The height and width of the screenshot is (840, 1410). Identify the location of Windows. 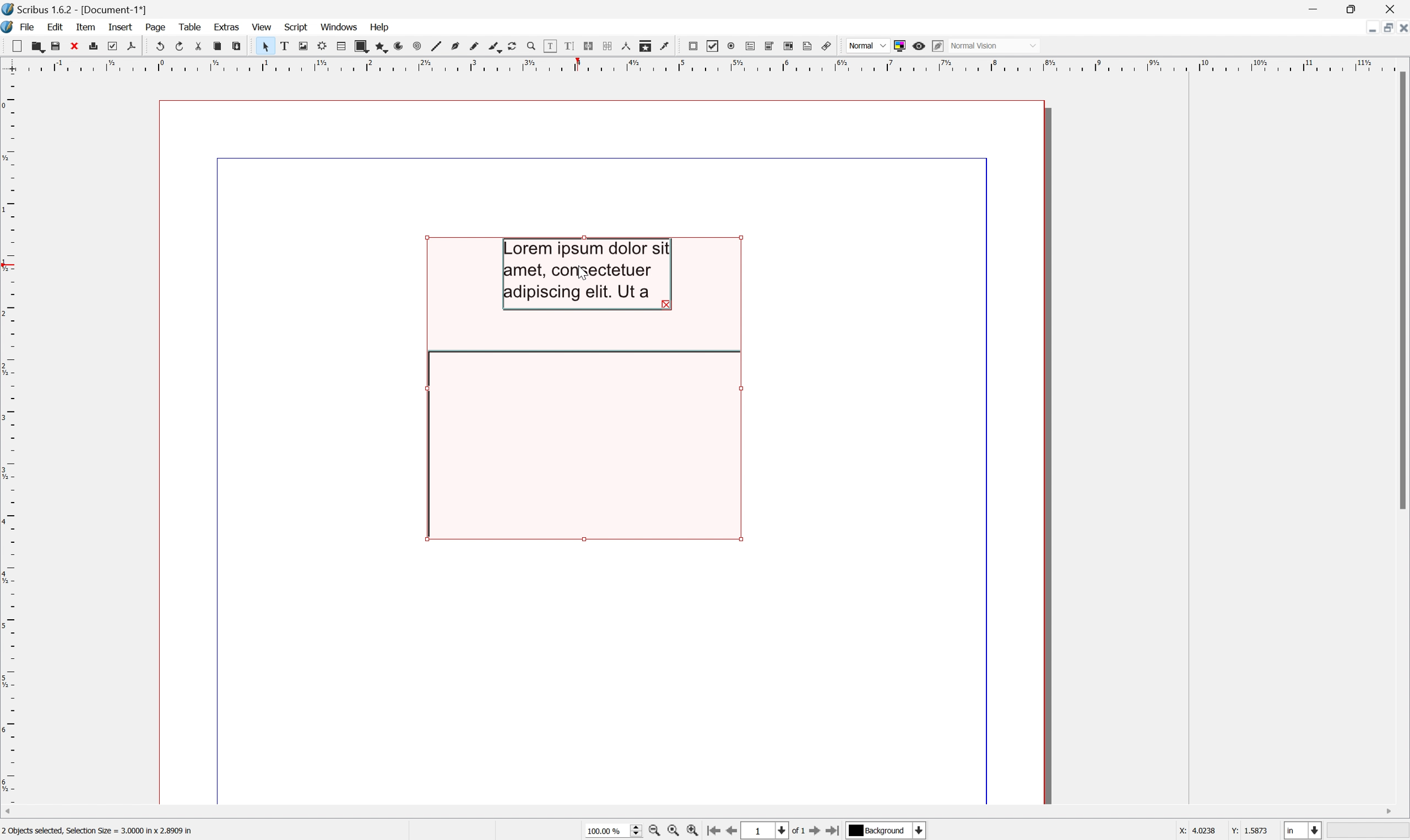
(342, 28).